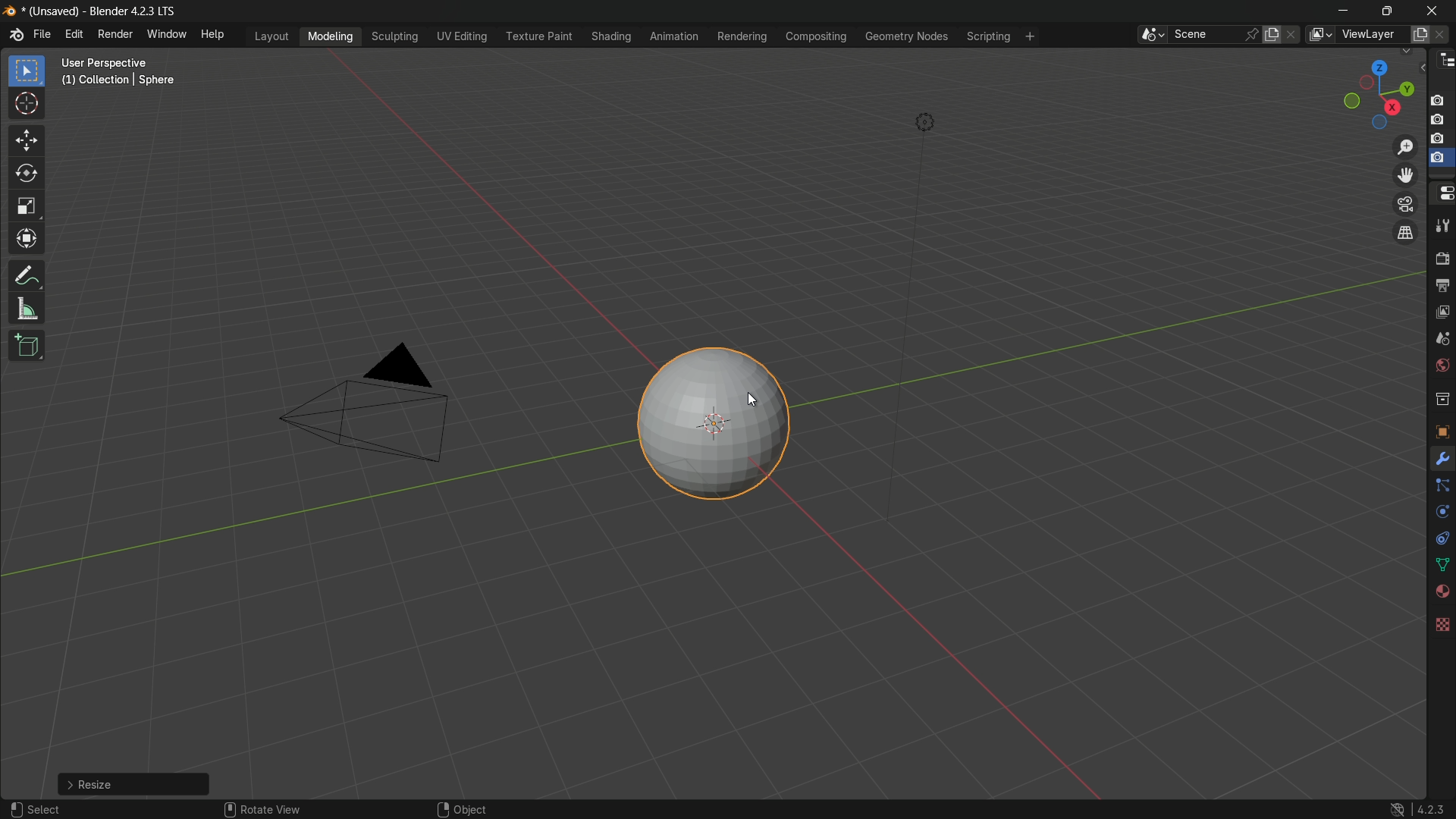 This screenshot has height=819, width=1456. I want to click on rotate or preset viewpoint, so click(1370, 95).